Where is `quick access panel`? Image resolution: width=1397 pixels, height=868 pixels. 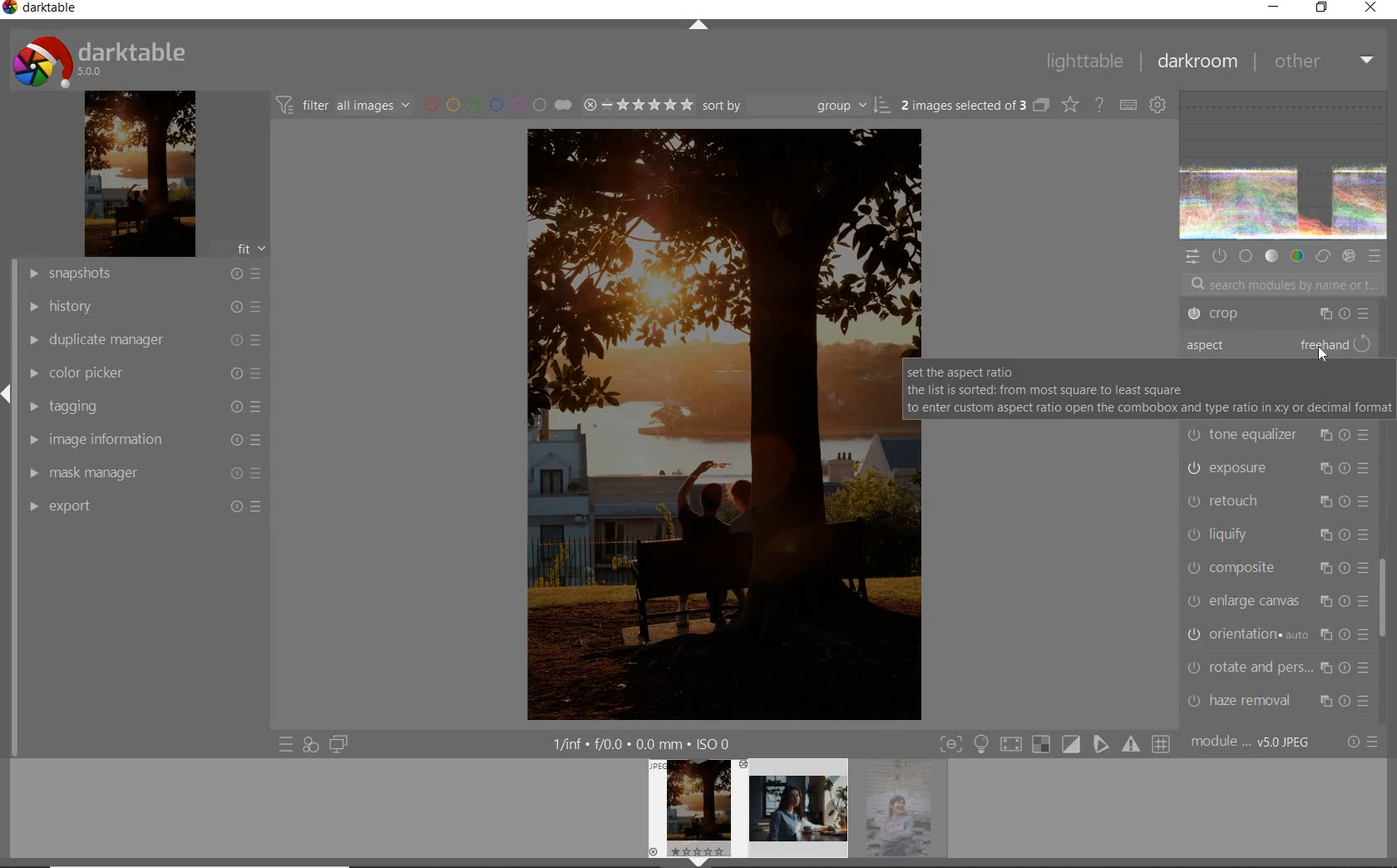 quick access panel is located at coordinates (1192, 259).